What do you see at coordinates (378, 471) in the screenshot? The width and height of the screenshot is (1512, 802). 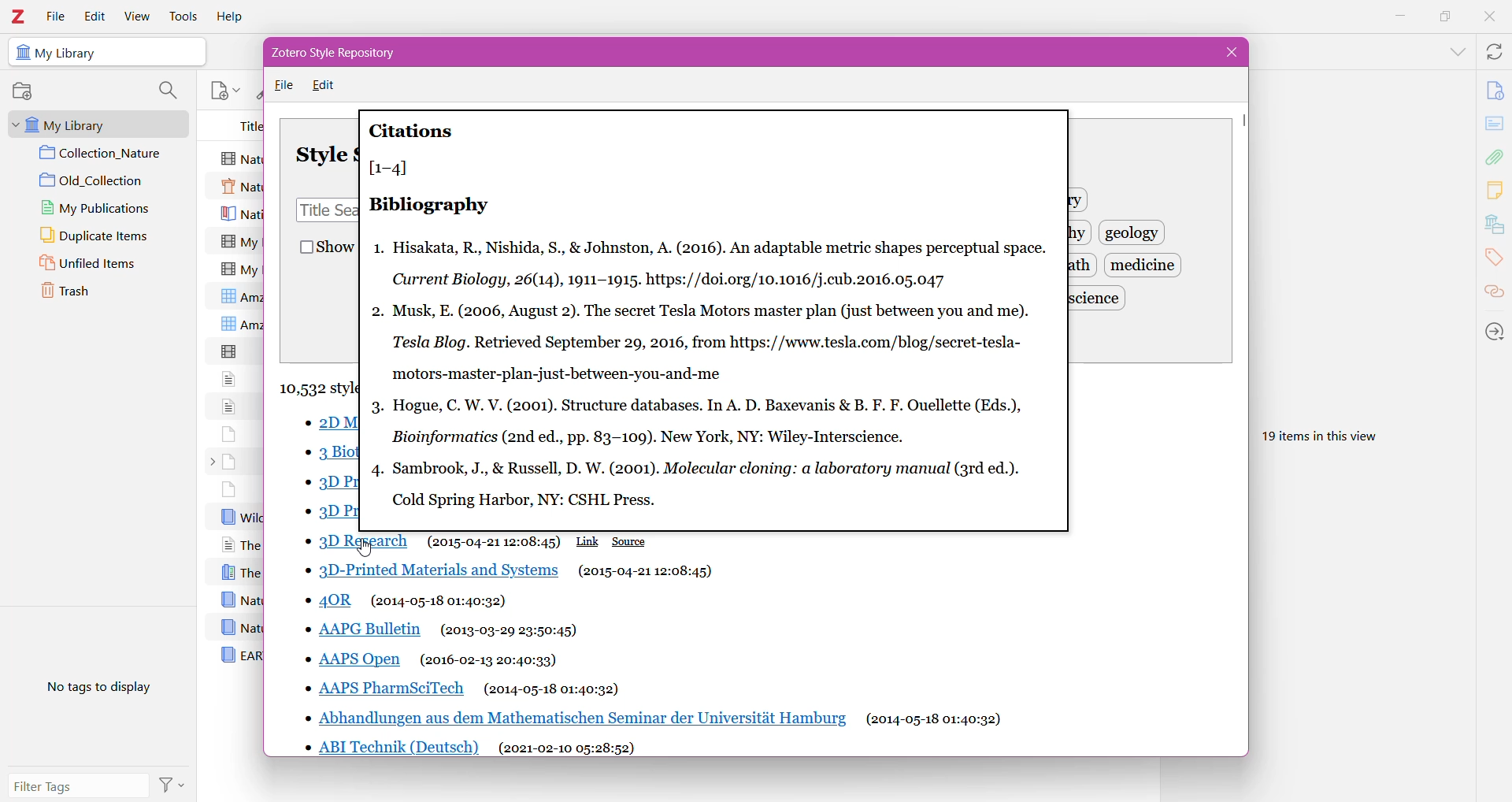 I see `4.` at bounding box center [378, 471].